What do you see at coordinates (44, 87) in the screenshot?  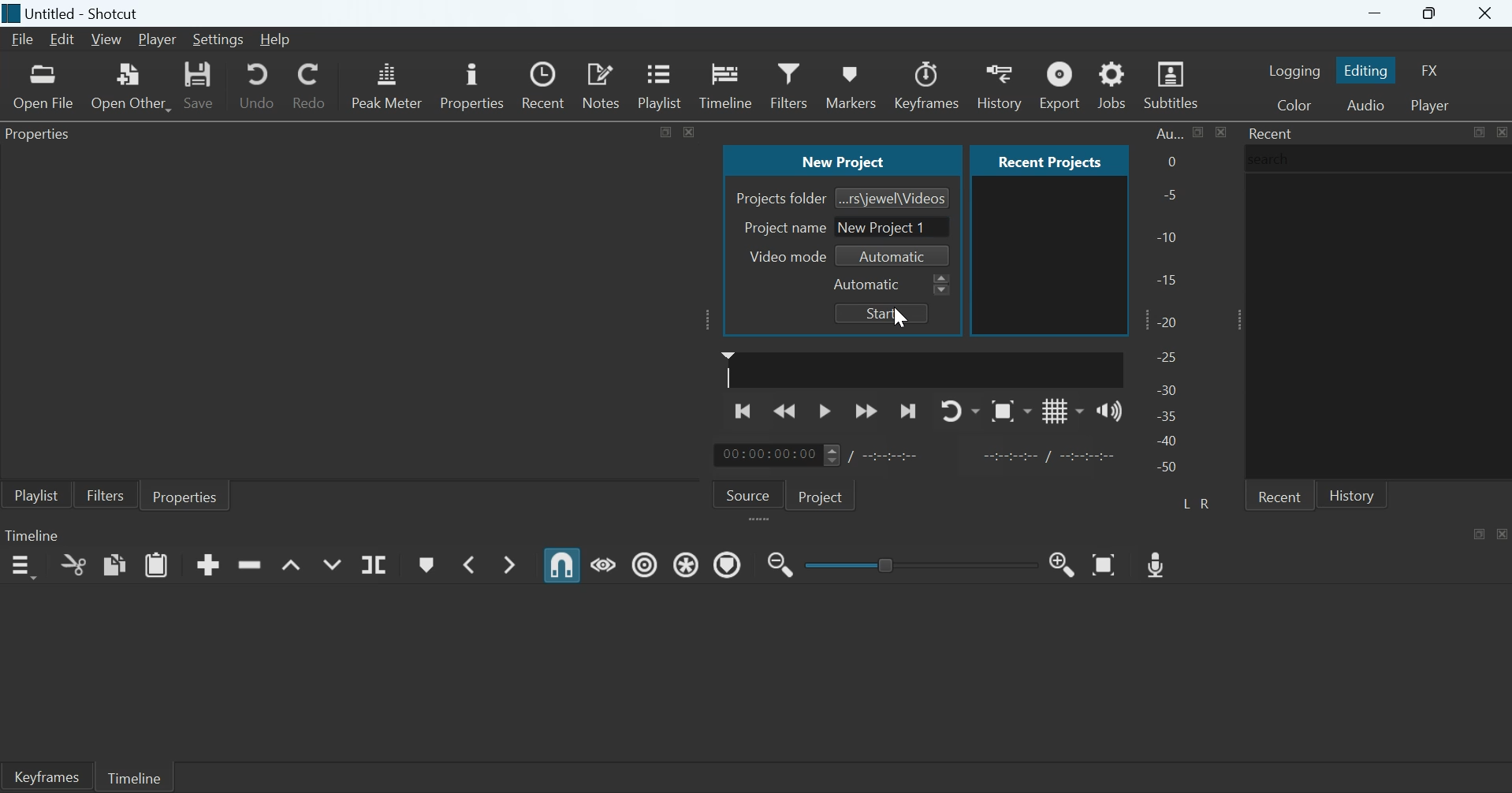 I see `Open a video, audio, image or project file` at bounding box center [44, 87].